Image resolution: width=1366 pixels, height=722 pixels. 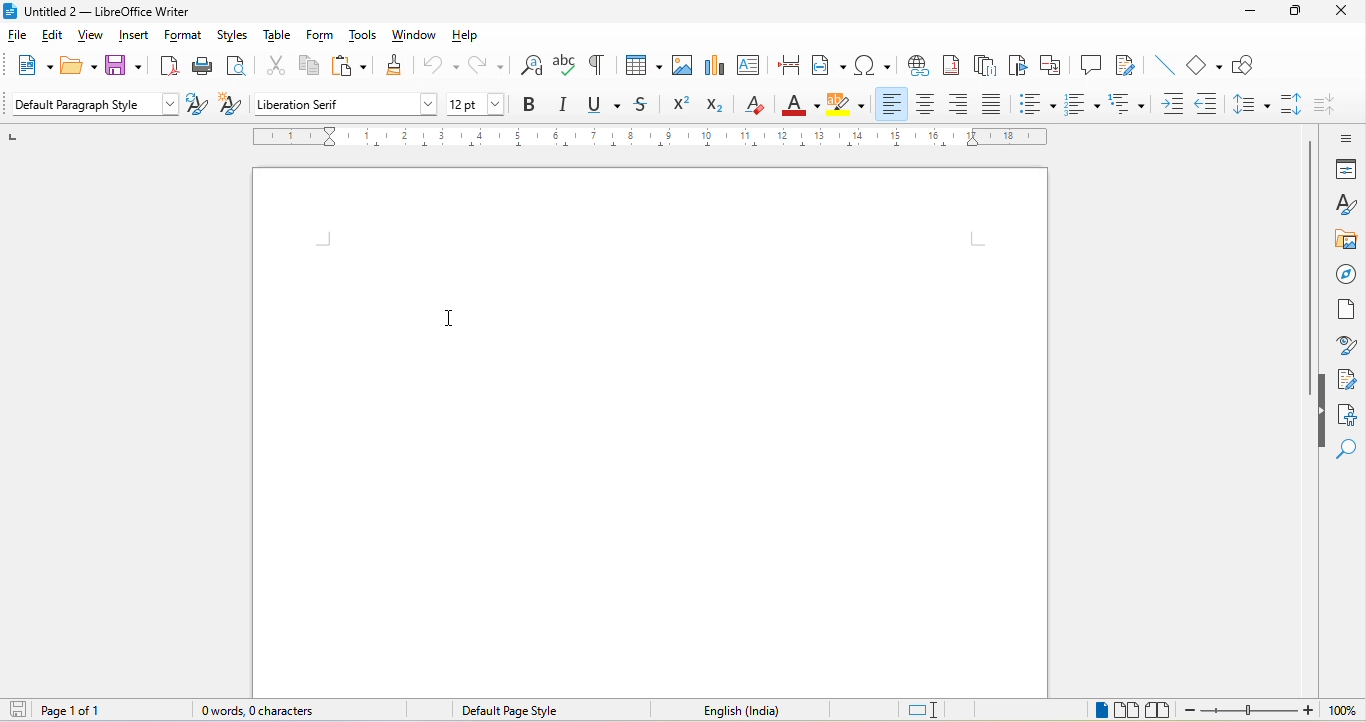 What do you see at coordinates (531, 69) in the screenshot?
I see `find and replace` at bounding box center [531, 69].